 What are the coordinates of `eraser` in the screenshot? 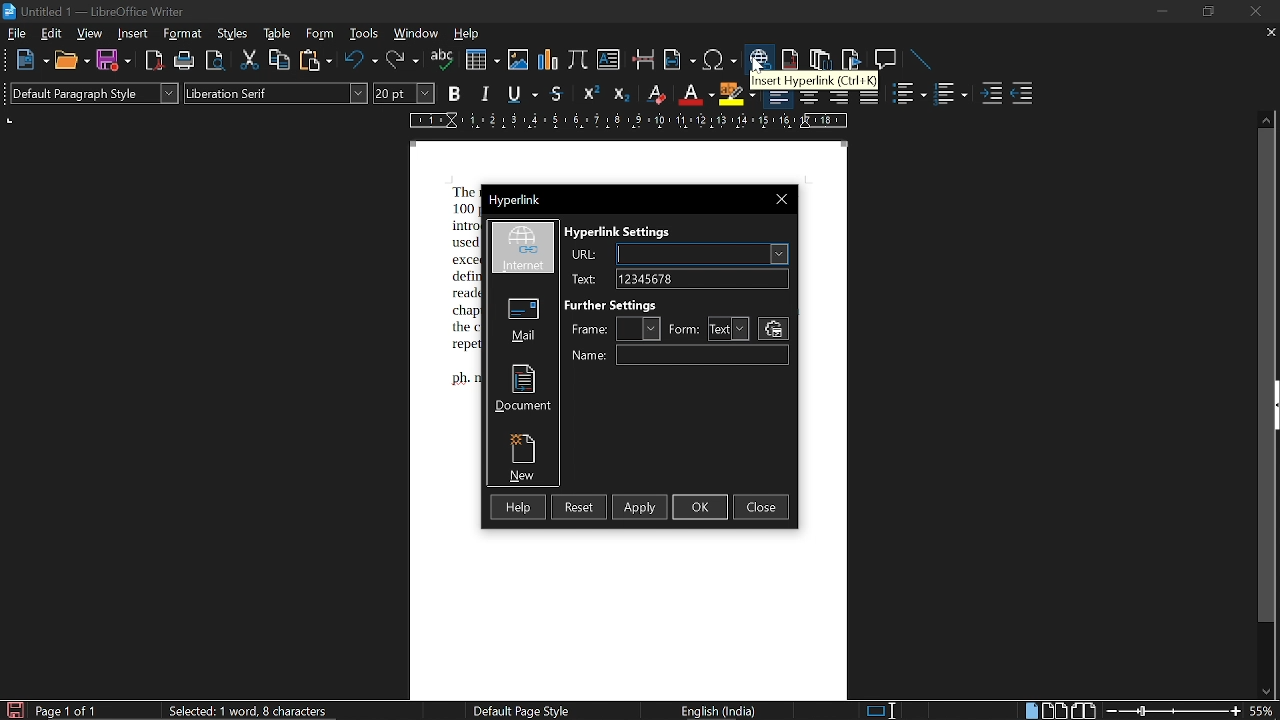 It's located at (654, 94).